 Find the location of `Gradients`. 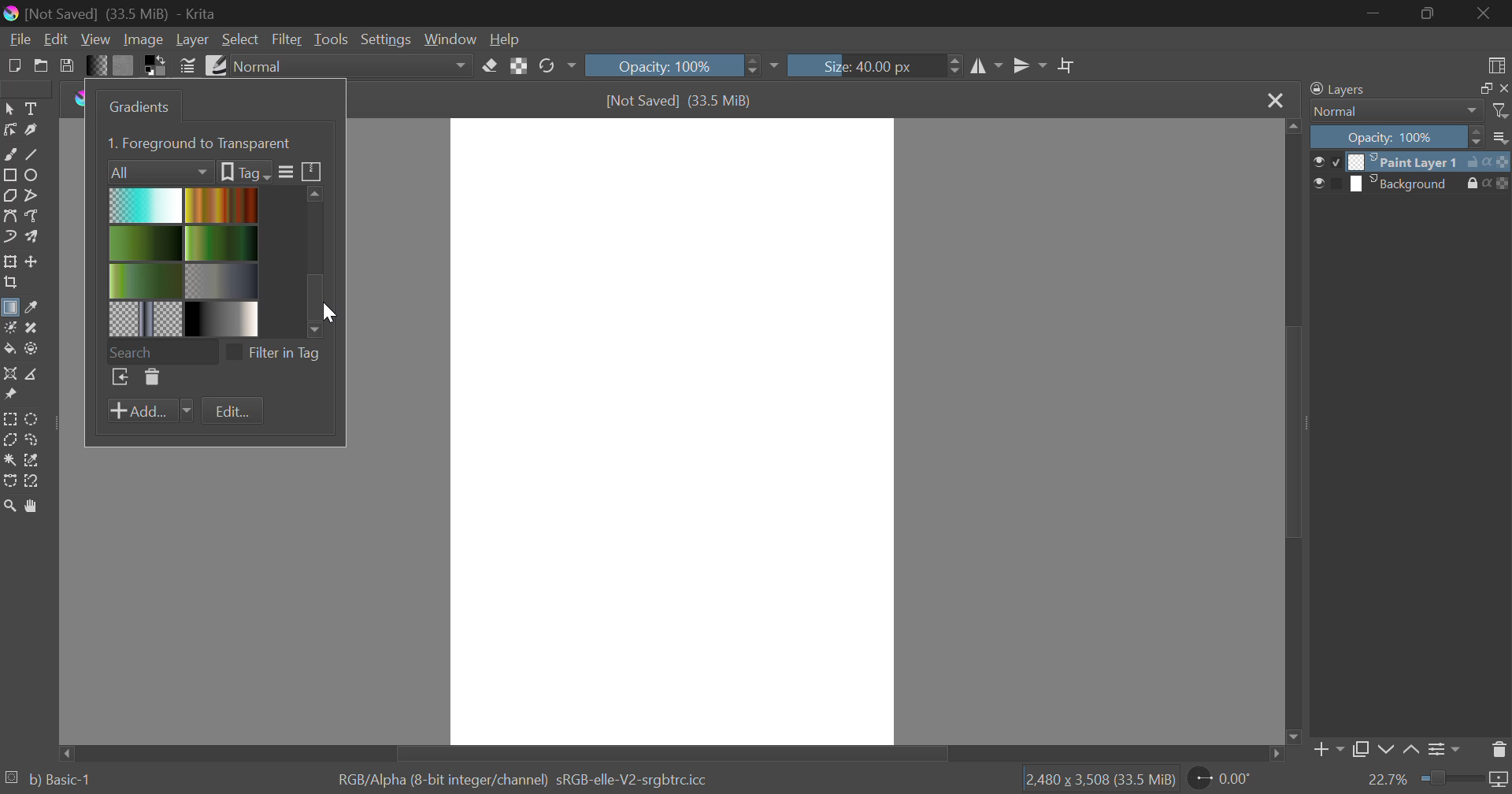

Gradients is located at coordinates (136, 106).